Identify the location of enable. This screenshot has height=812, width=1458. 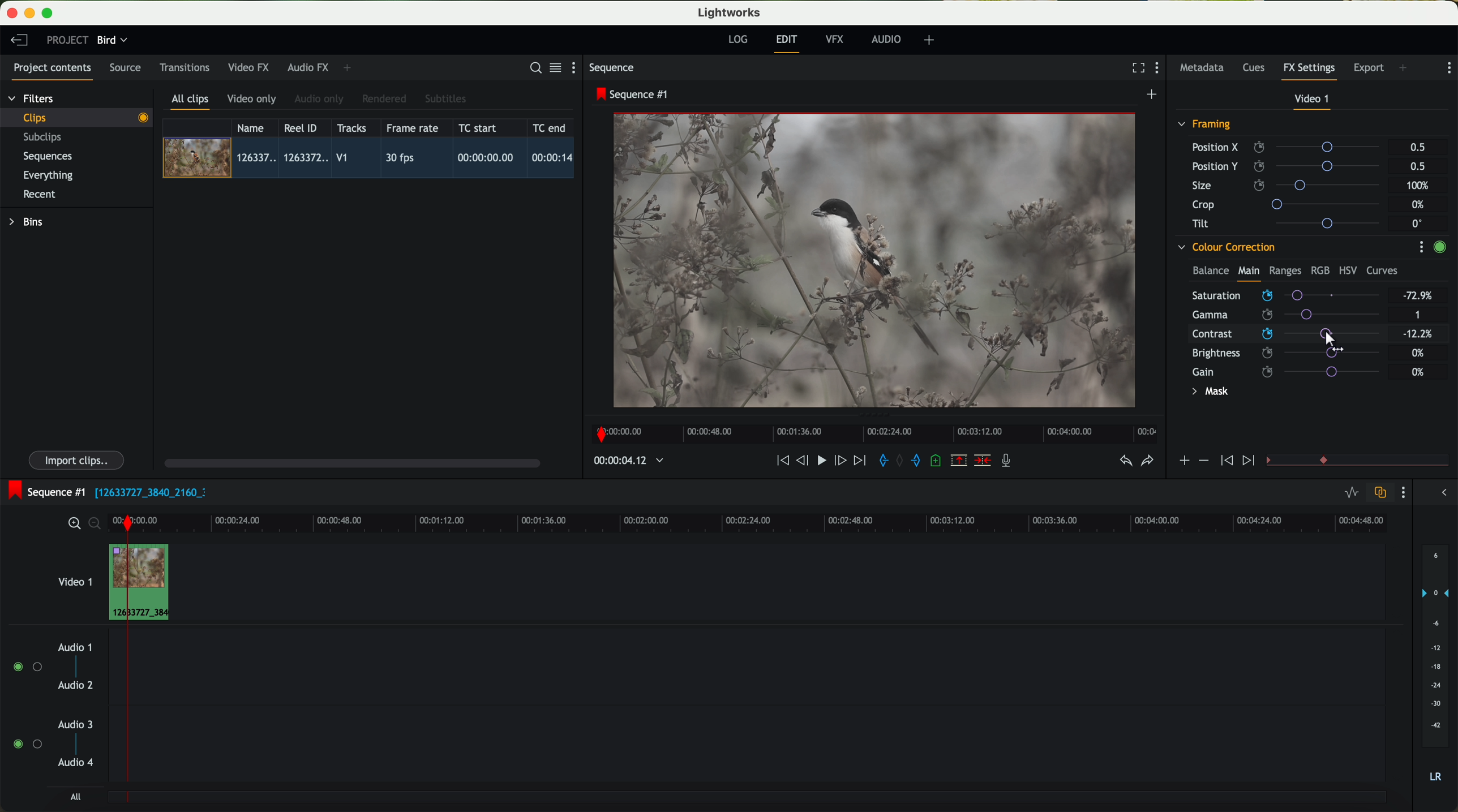
(1439, 248).